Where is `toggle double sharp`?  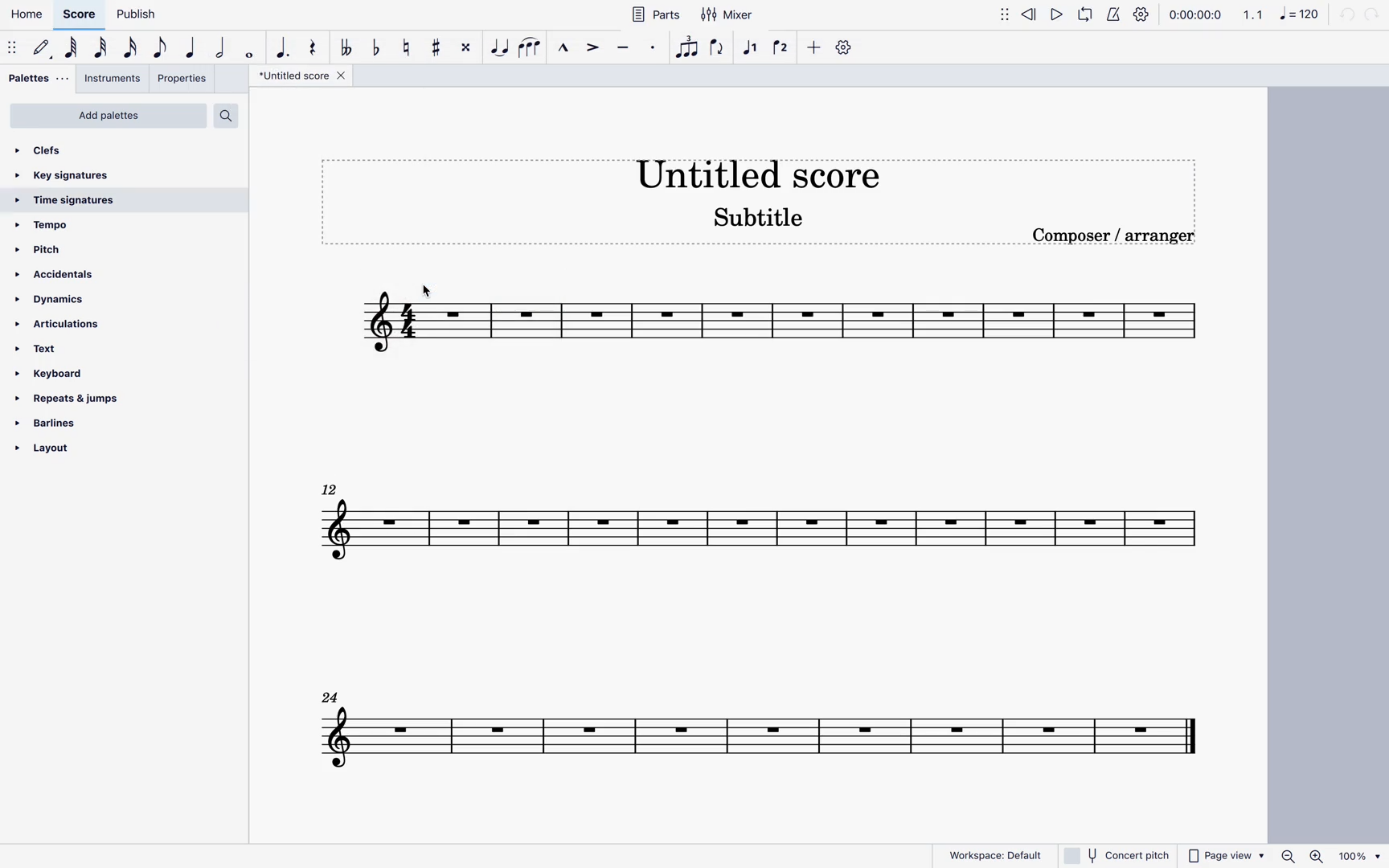 toggle double sharp is located at coordinates (462, 47).